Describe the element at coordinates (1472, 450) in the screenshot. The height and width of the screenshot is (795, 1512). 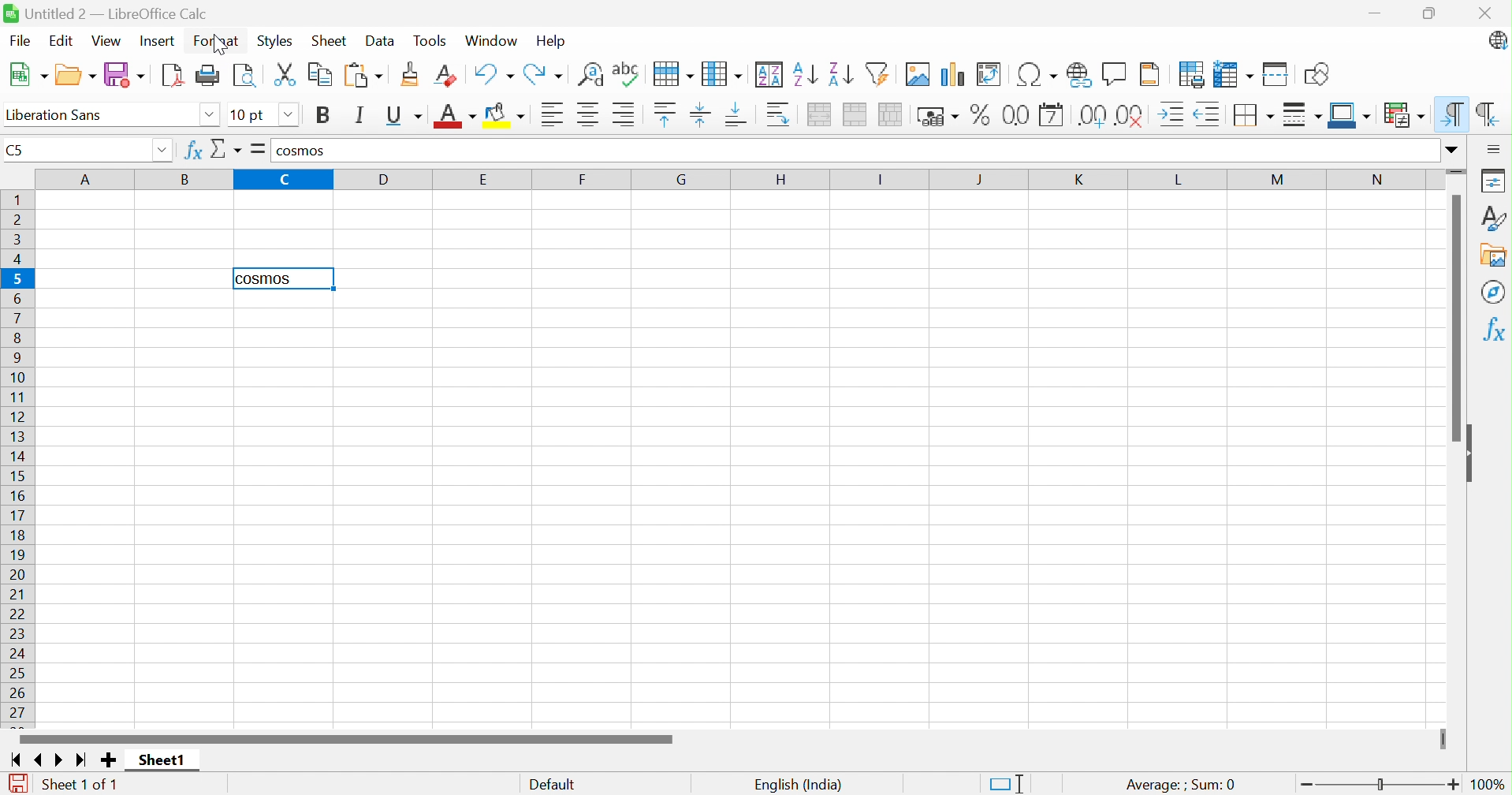
I see `Hide` at that location.